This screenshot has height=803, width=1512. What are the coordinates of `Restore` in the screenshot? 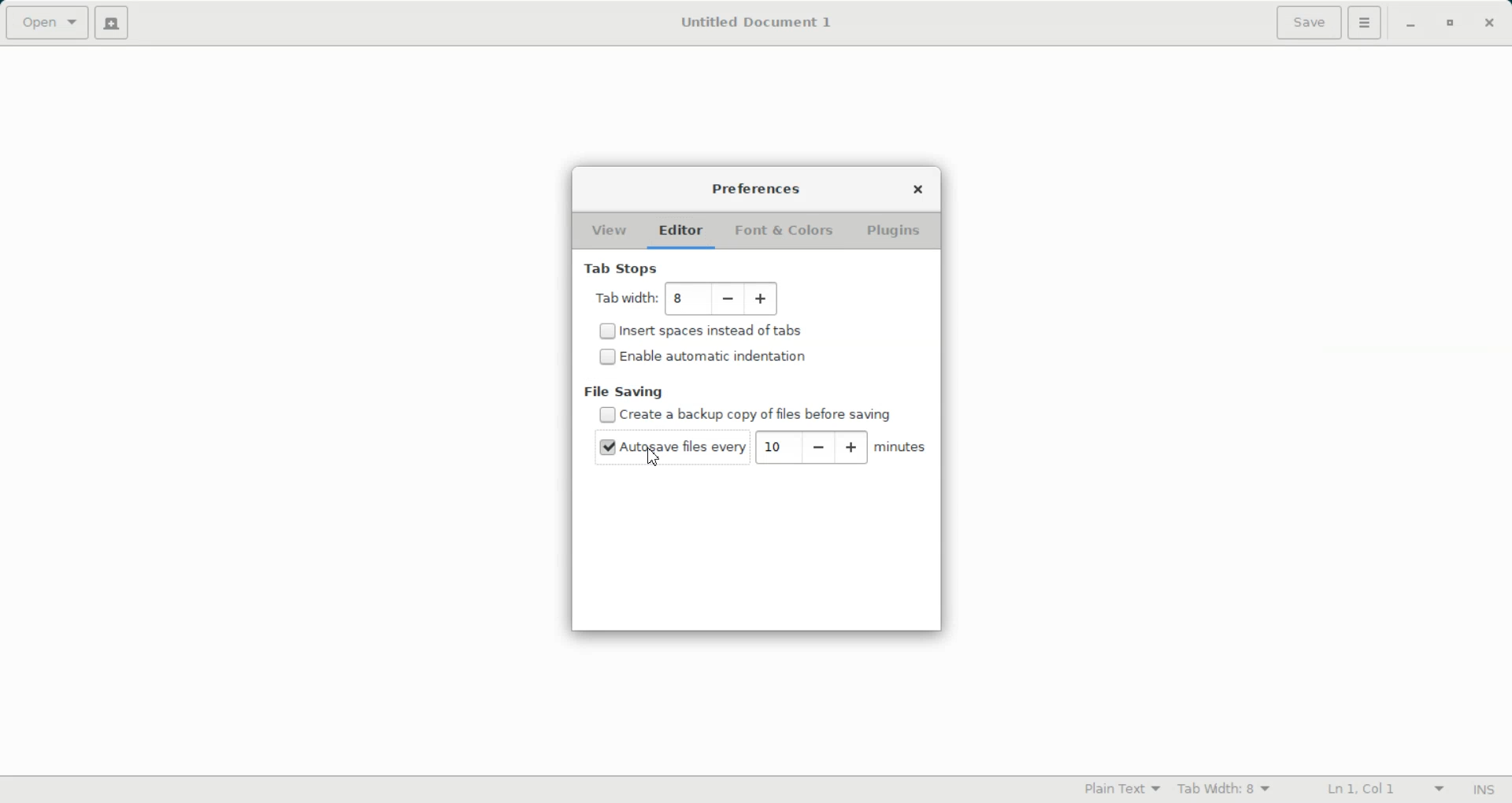 It's located at (1450, 24).